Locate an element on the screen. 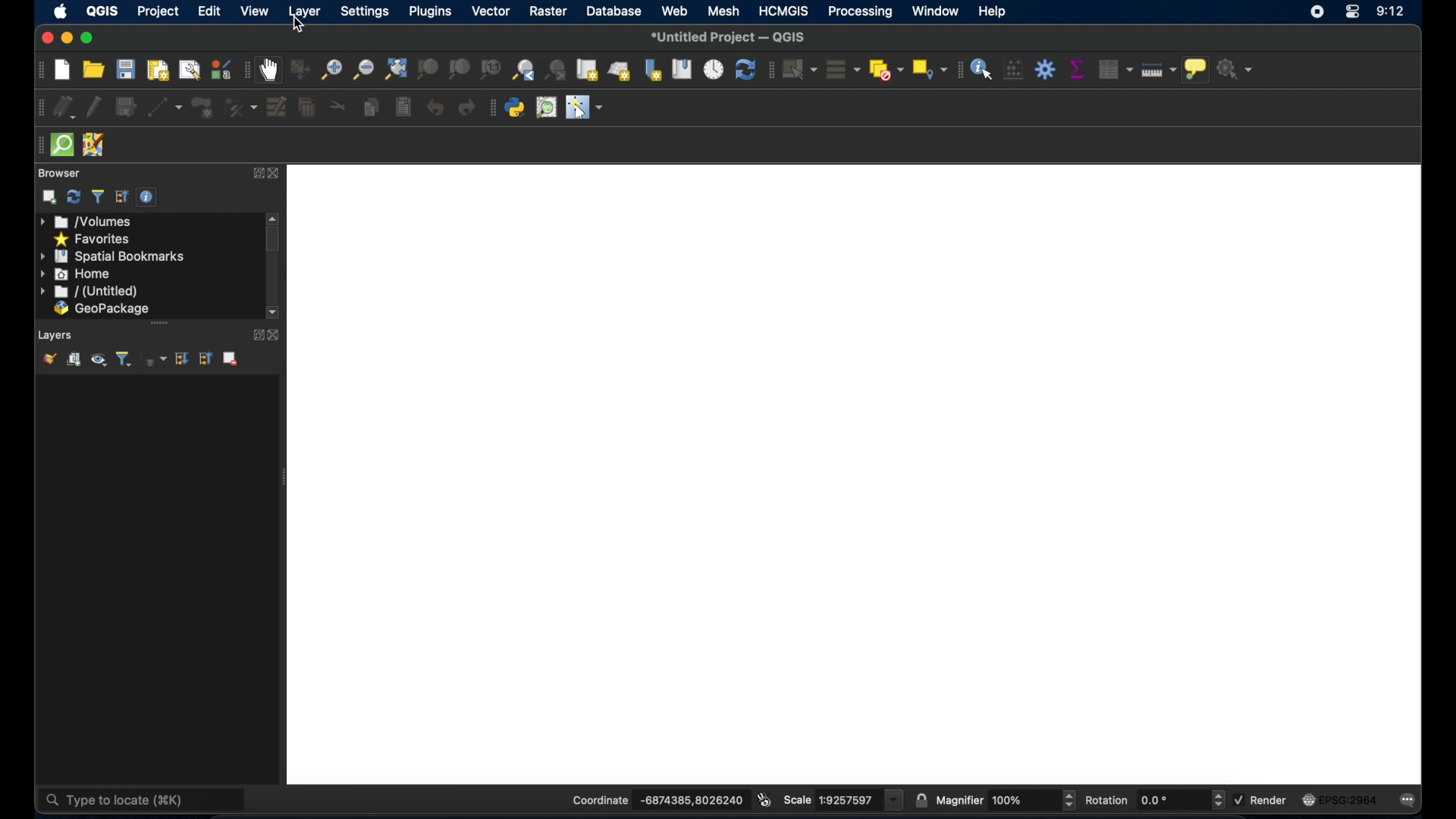  lock scale is located at coordinates (918, 799).